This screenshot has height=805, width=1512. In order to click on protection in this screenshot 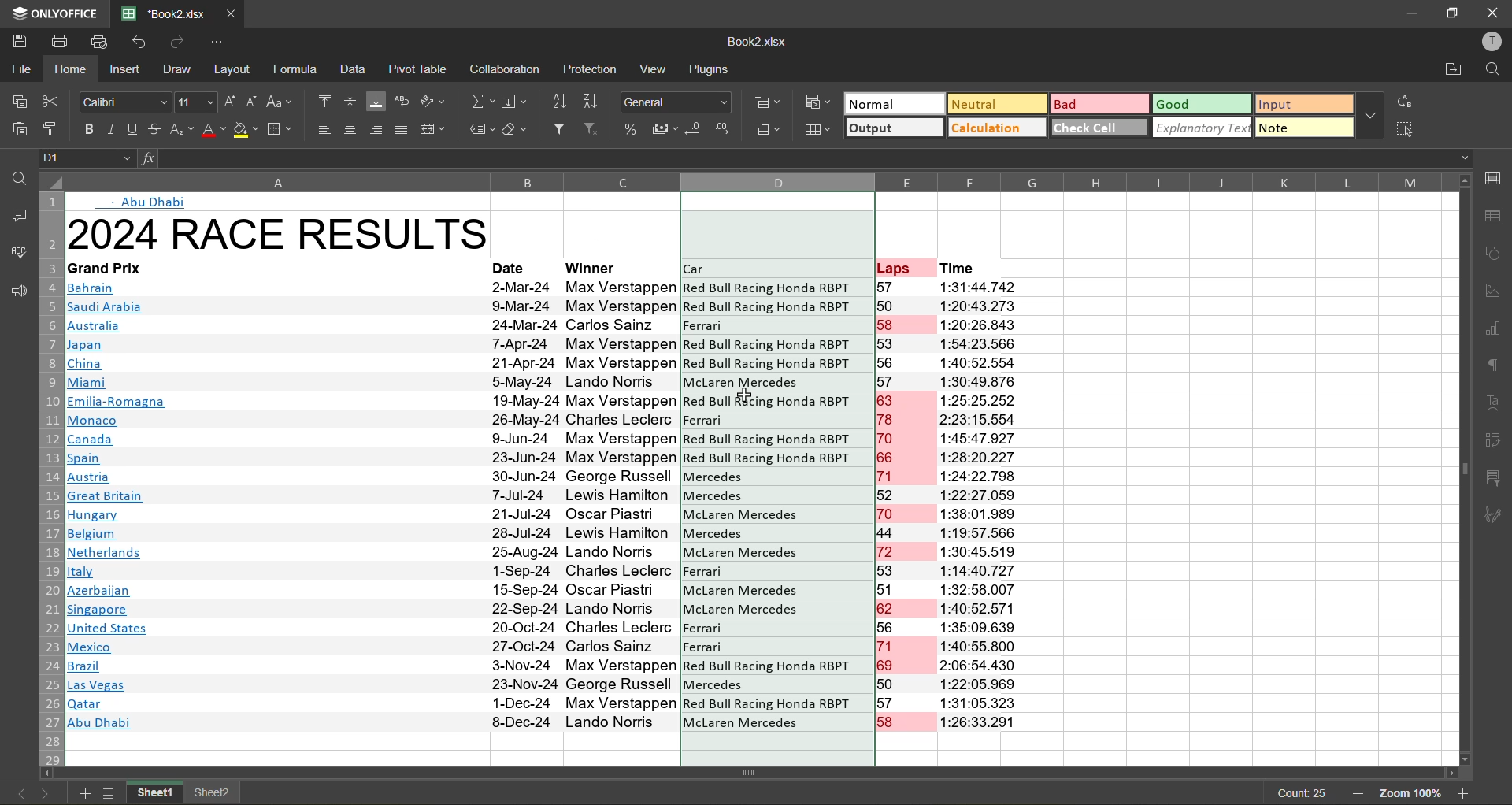, I will do `click(591, 67)`.